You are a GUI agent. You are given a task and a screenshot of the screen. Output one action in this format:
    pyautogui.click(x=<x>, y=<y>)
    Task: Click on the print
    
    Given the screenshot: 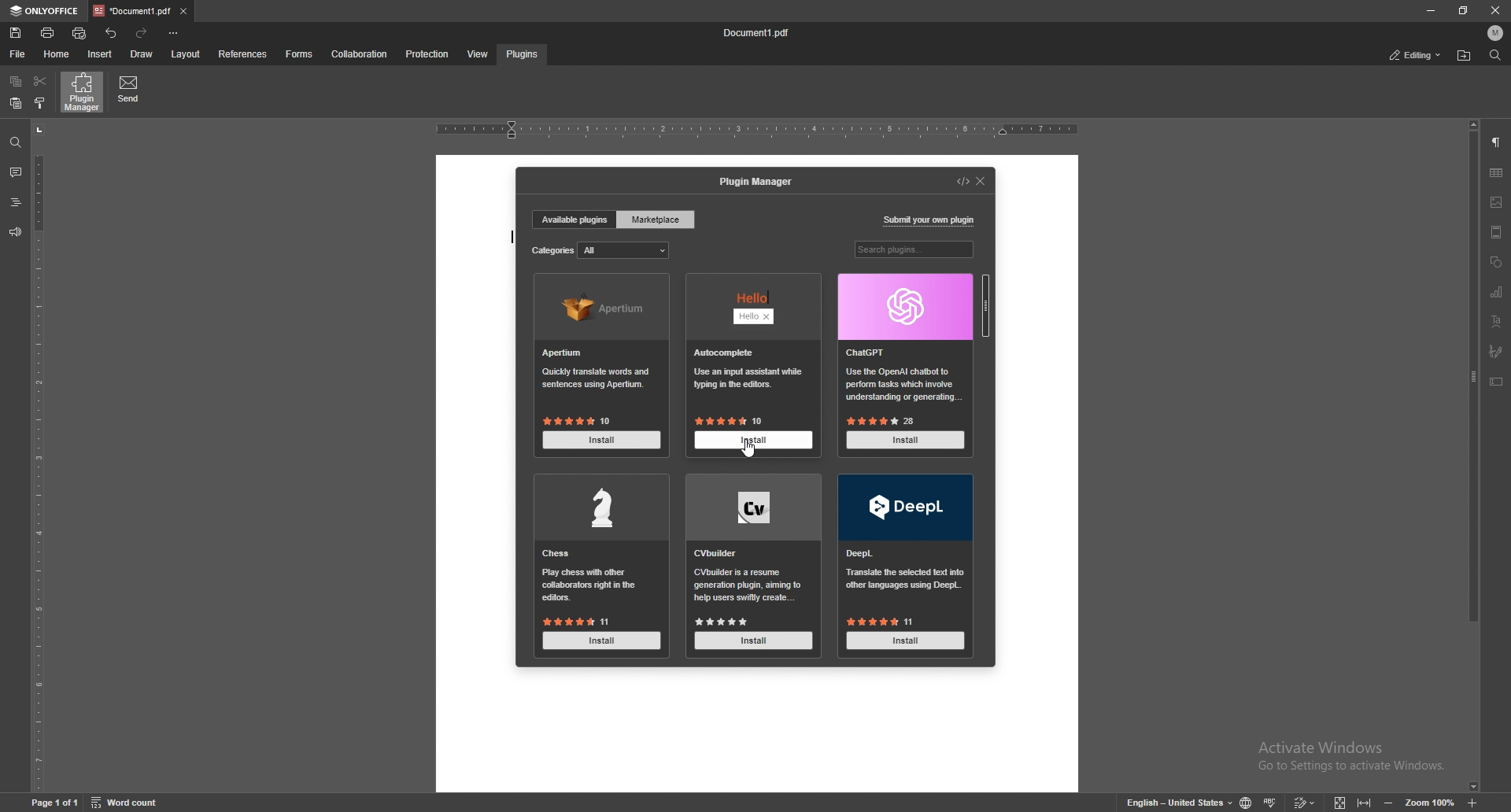 What is the action you would take?
    pyautogui.click(x=49, y=33)
    